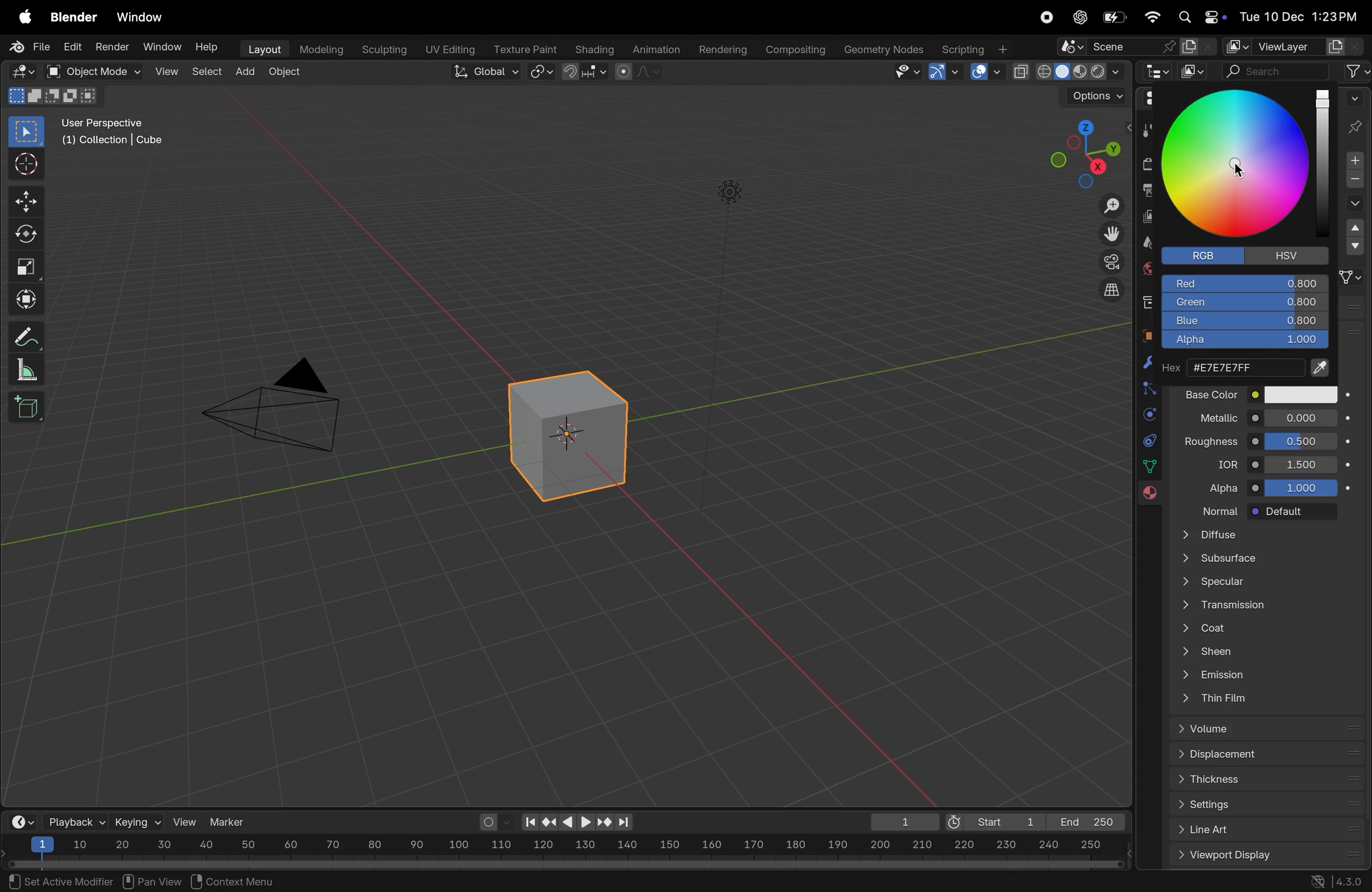 Image resolution: width=1372 pixels, height=892 pixels. What do you see at coordinates (1249, 366) in the screenshot?
I see `color code` at bounding box center [1249, 366].